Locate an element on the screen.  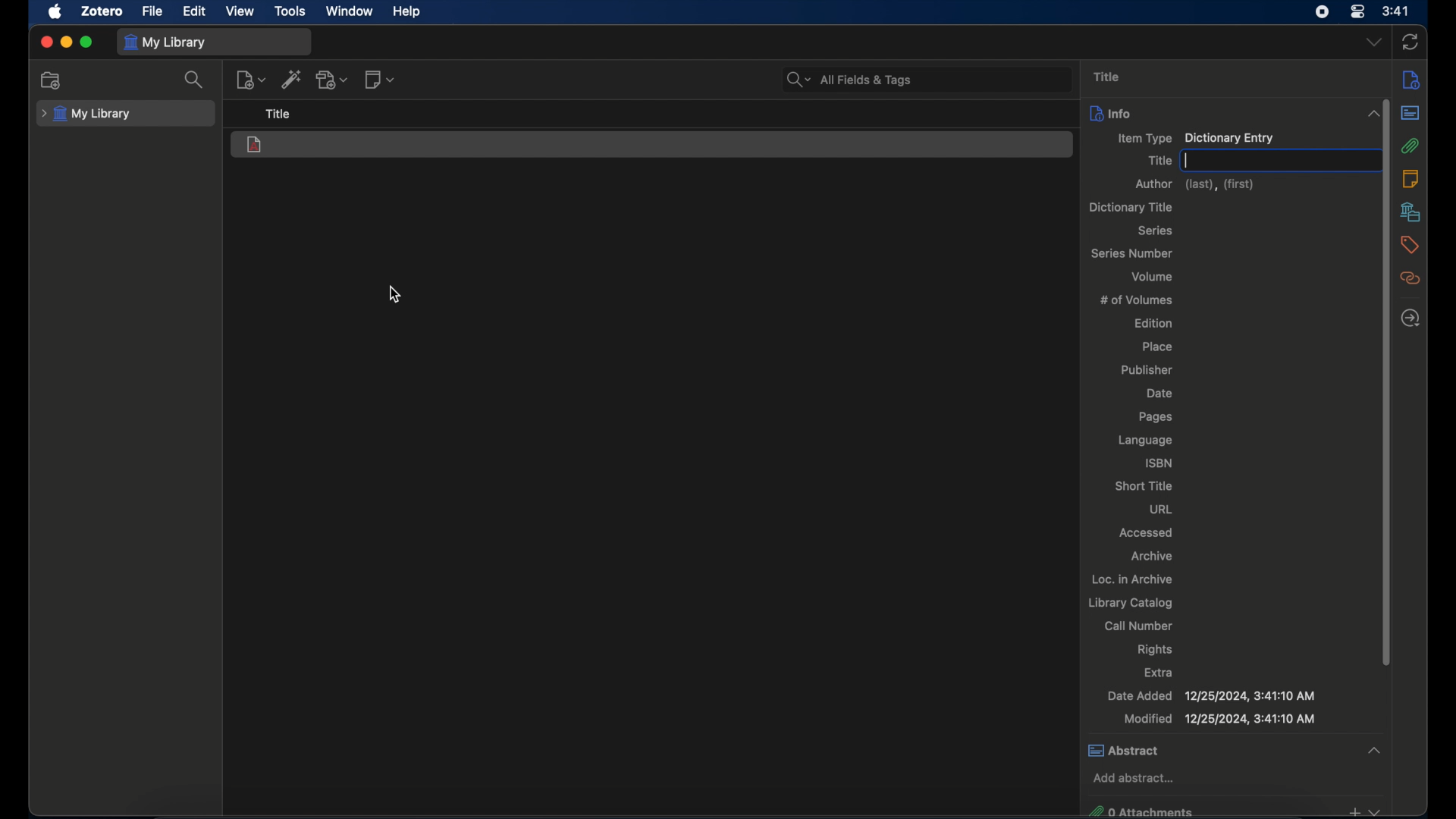
place is located at coordinates (1157, 346).